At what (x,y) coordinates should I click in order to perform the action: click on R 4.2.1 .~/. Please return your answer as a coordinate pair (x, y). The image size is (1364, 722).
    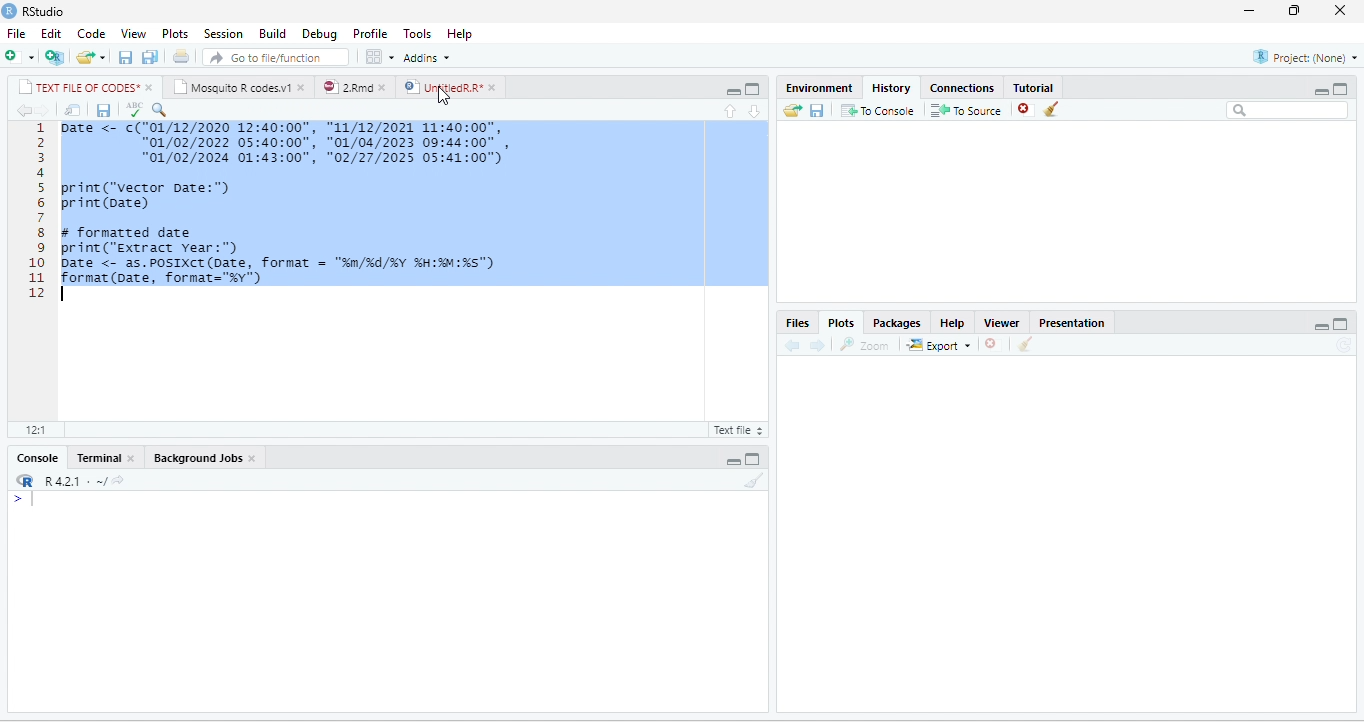
    Looking at the image, I should click on (71, 481).